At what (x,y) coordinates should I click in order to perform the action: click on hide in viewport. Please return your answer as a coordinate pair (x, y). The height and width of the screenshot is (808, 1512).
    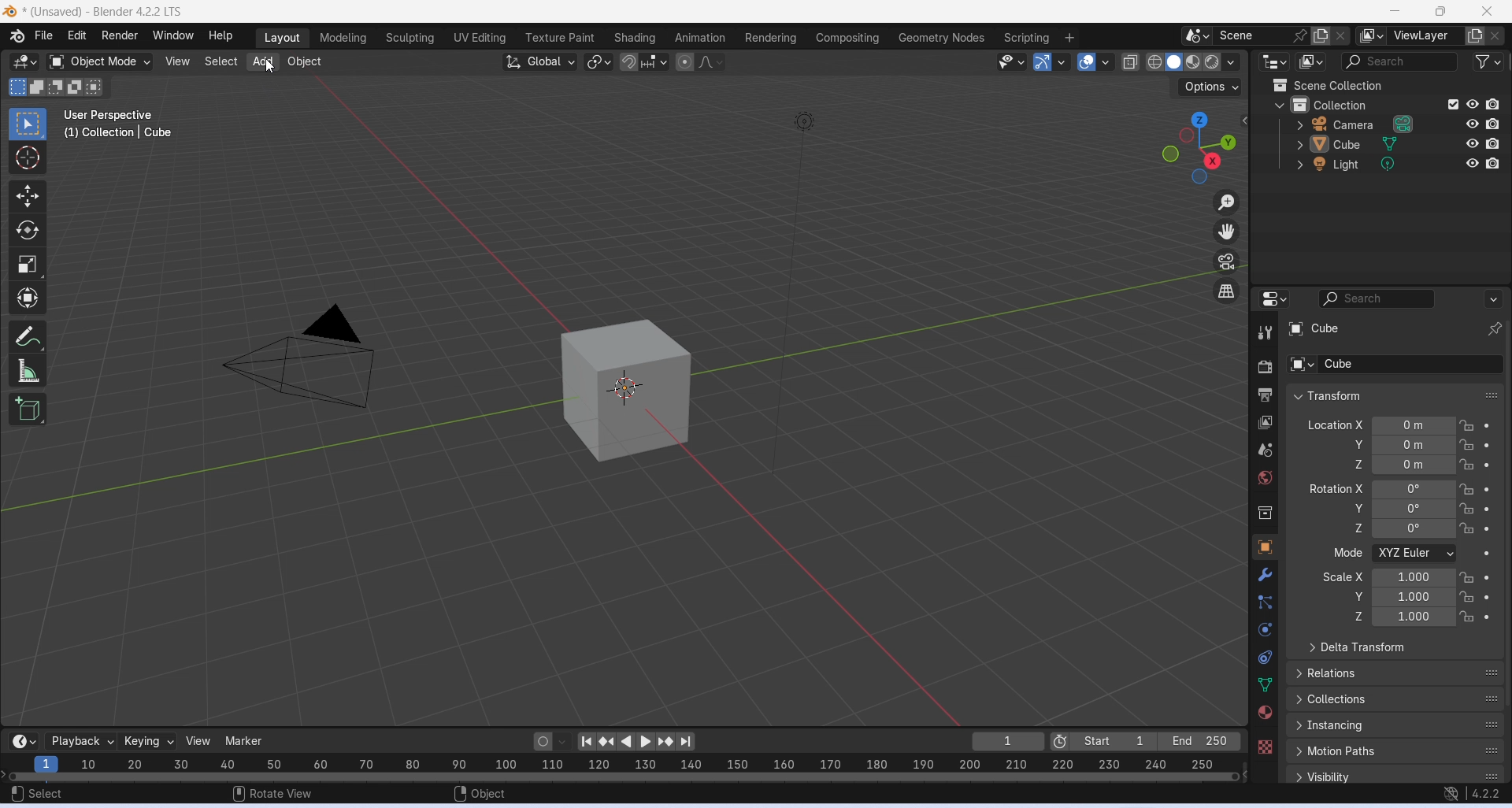
    Looking at the image, I should click on (1473, 124).